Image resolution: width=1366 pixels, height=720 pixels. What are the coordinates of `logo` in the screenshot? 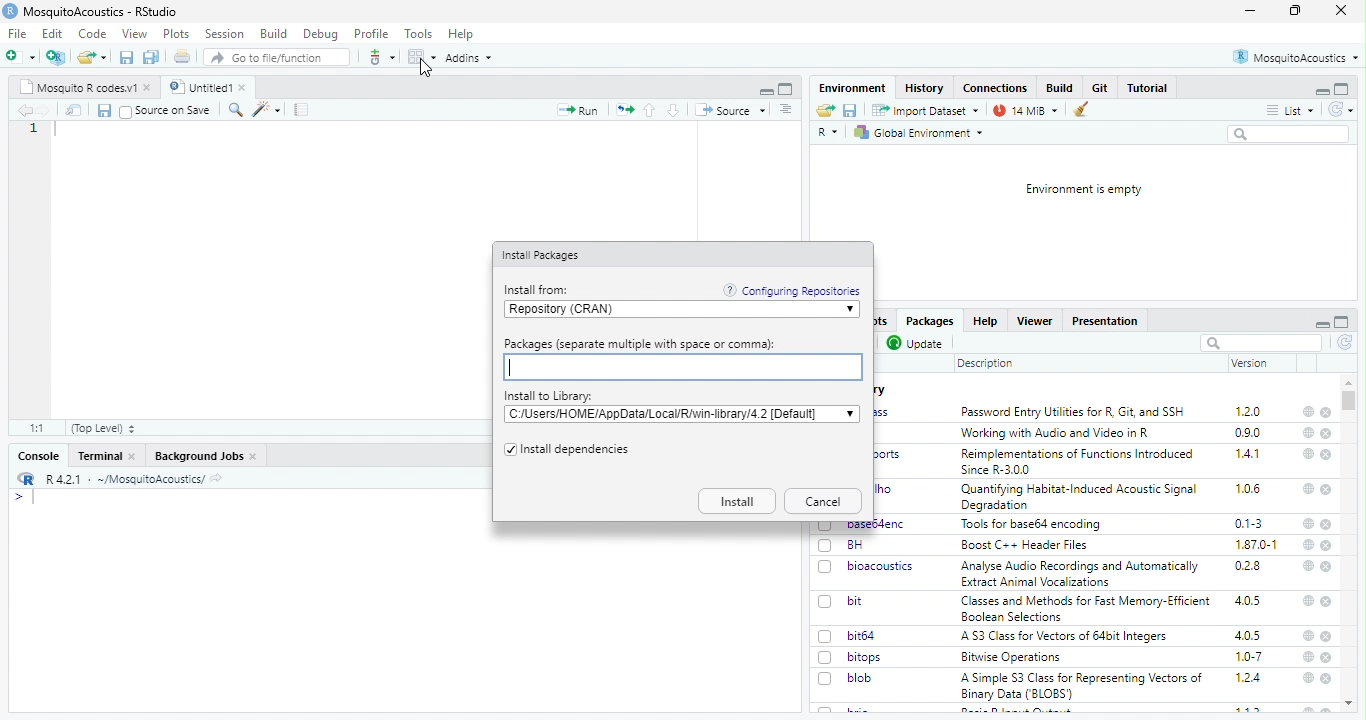 It's located at (10, 11).